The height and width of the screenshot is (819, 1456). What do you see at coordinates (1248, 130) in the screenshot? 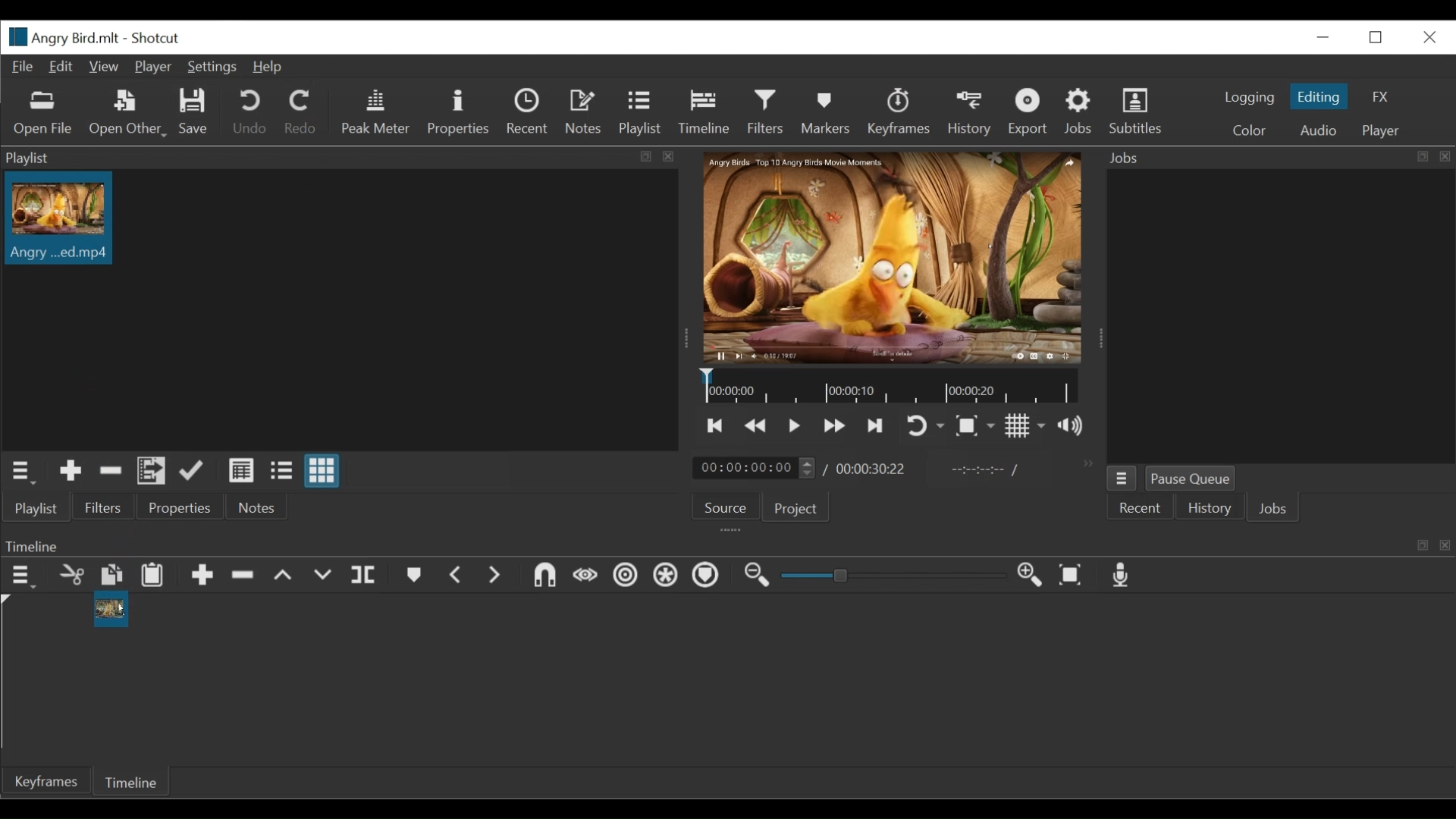
I see `Color` at bounding box center [1248, 130].